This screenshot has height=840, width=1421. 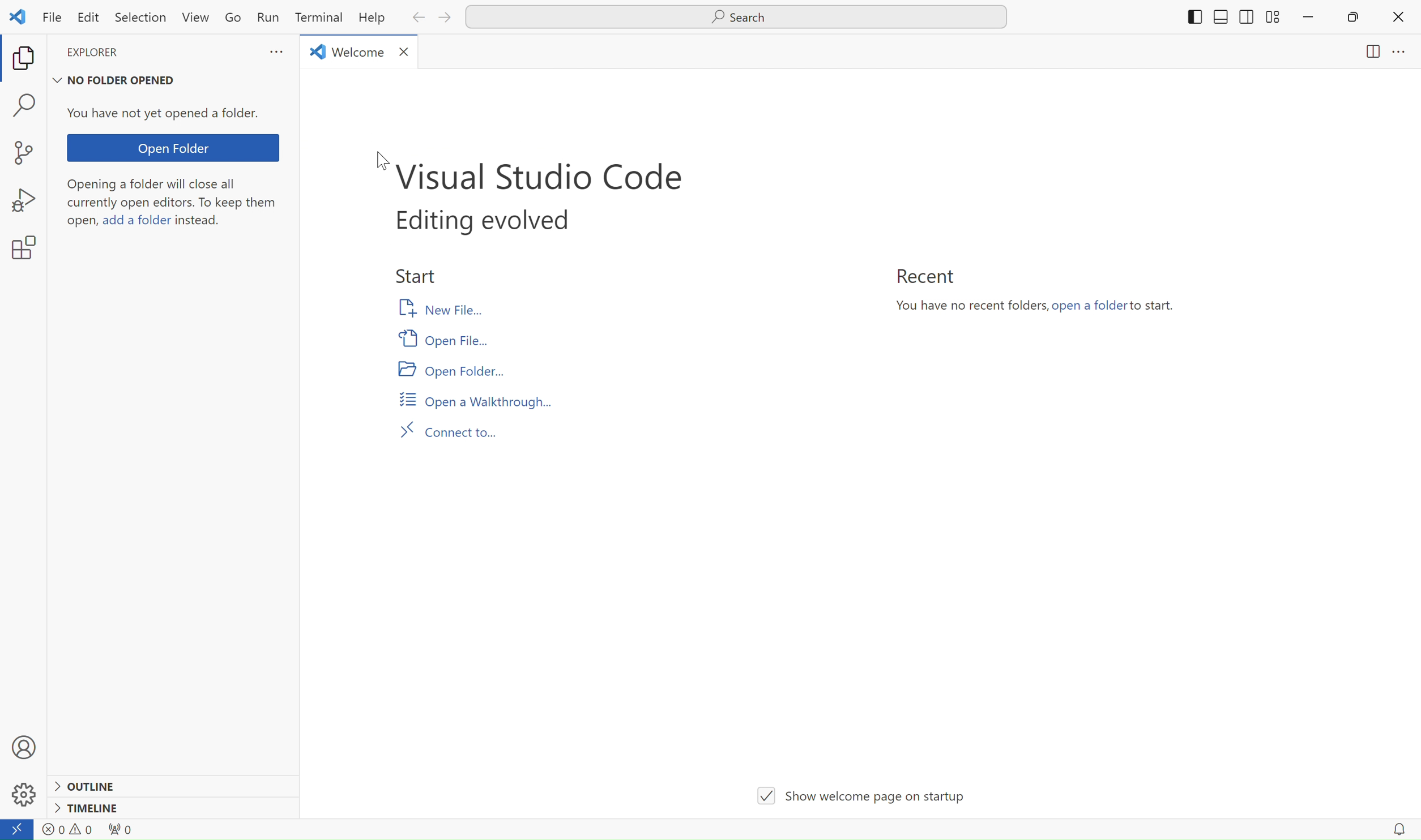 I want to click on Opening a folder will close all currently open editors. To keep them open,add a folder instead, so click(x=173, y=208).